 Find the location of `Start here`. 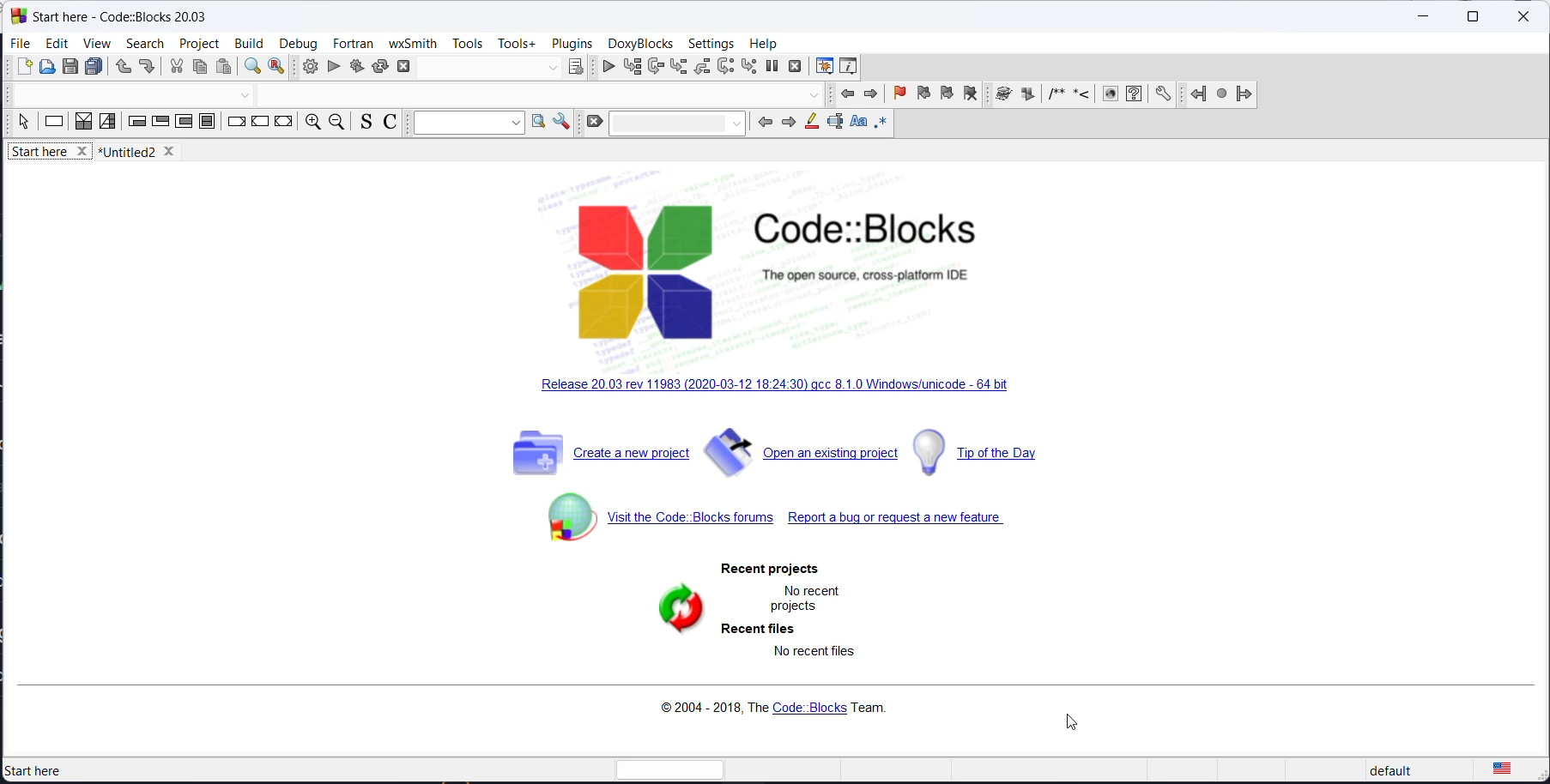

Start here is located at coordinates (51, 769).